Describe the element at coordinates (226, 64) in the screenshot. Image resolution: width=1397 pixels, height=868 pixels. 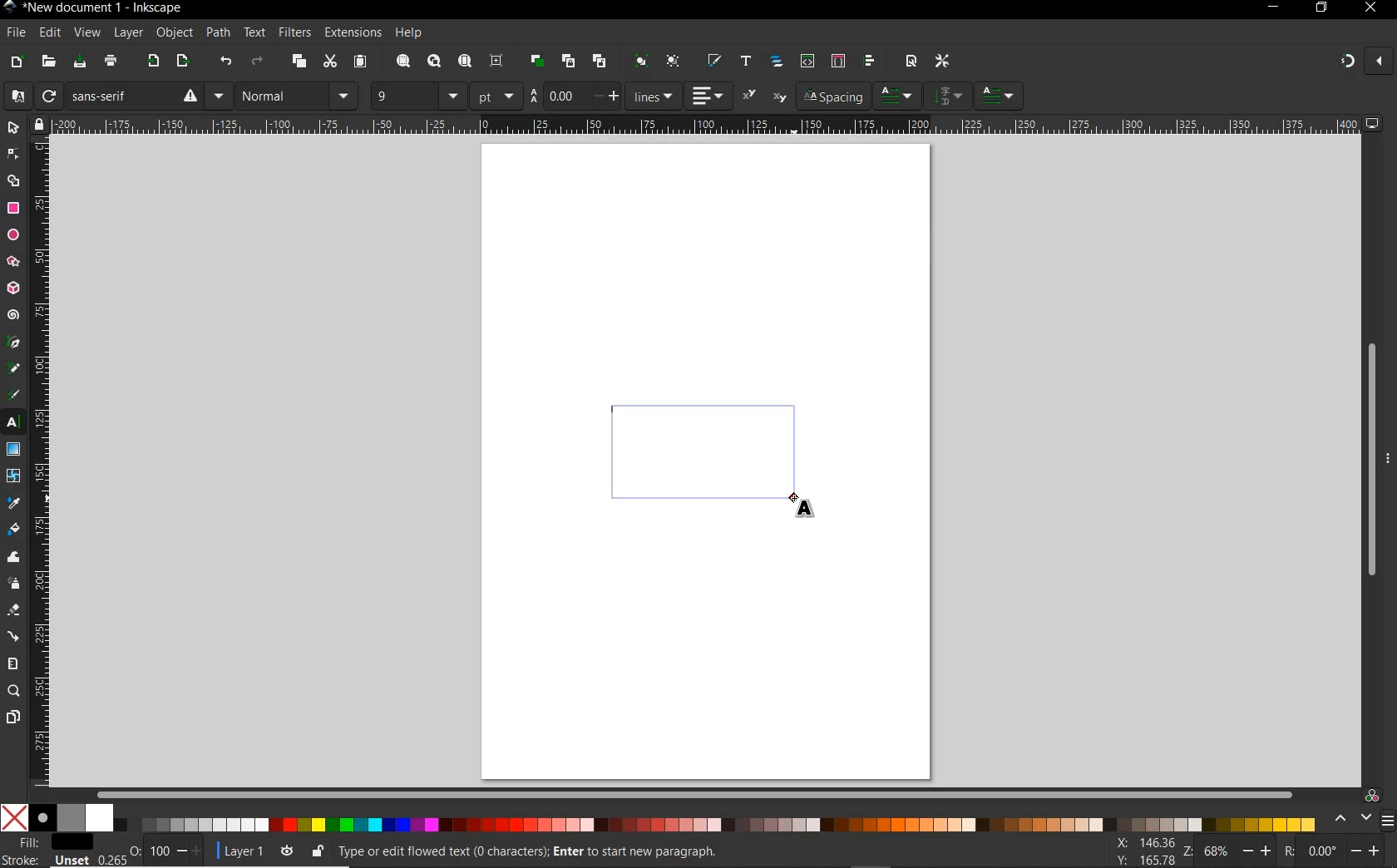
I see `undo` at that location.